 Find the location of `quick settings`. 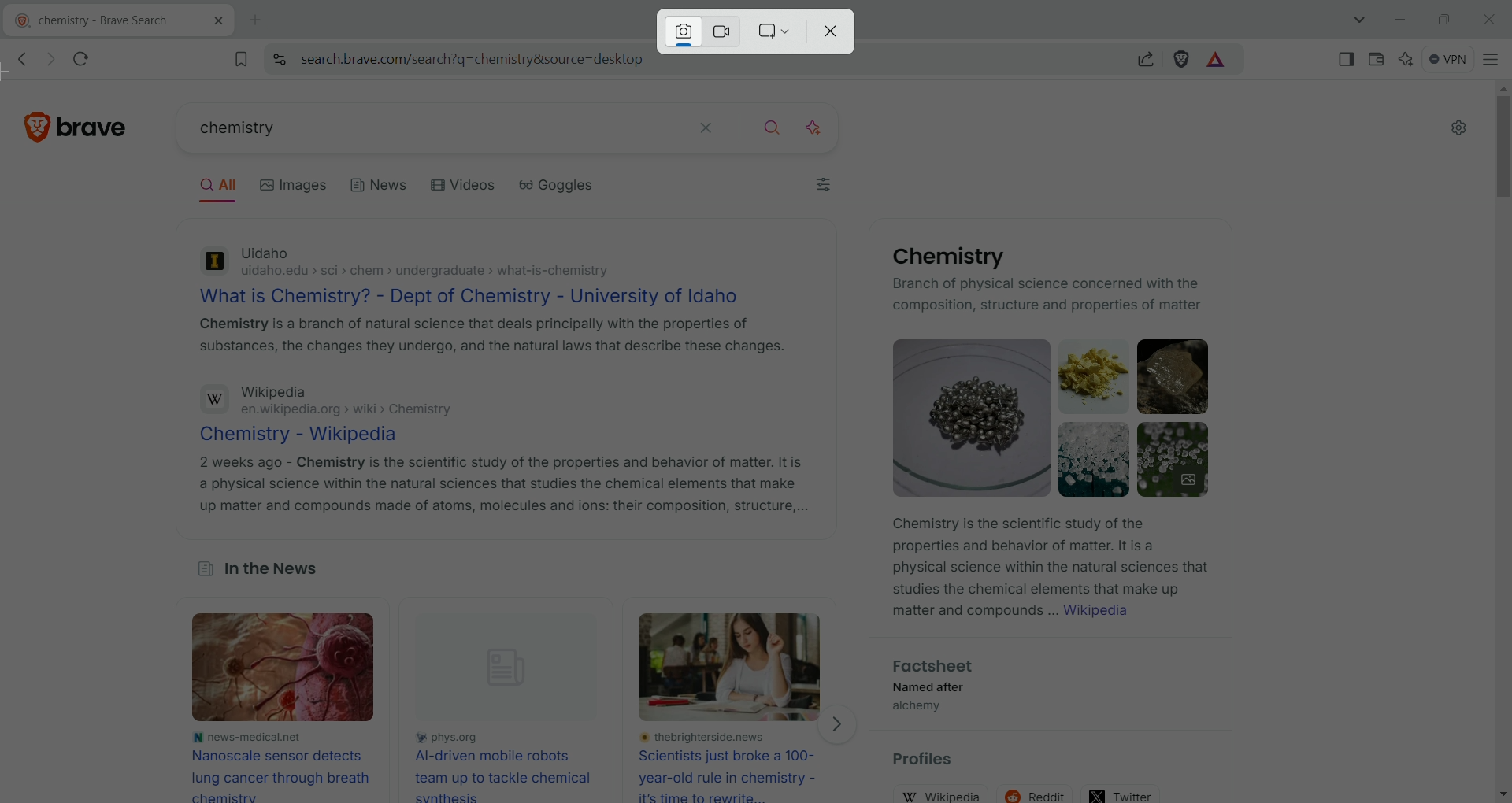

quick settings is located at coordinates (1458, 129).